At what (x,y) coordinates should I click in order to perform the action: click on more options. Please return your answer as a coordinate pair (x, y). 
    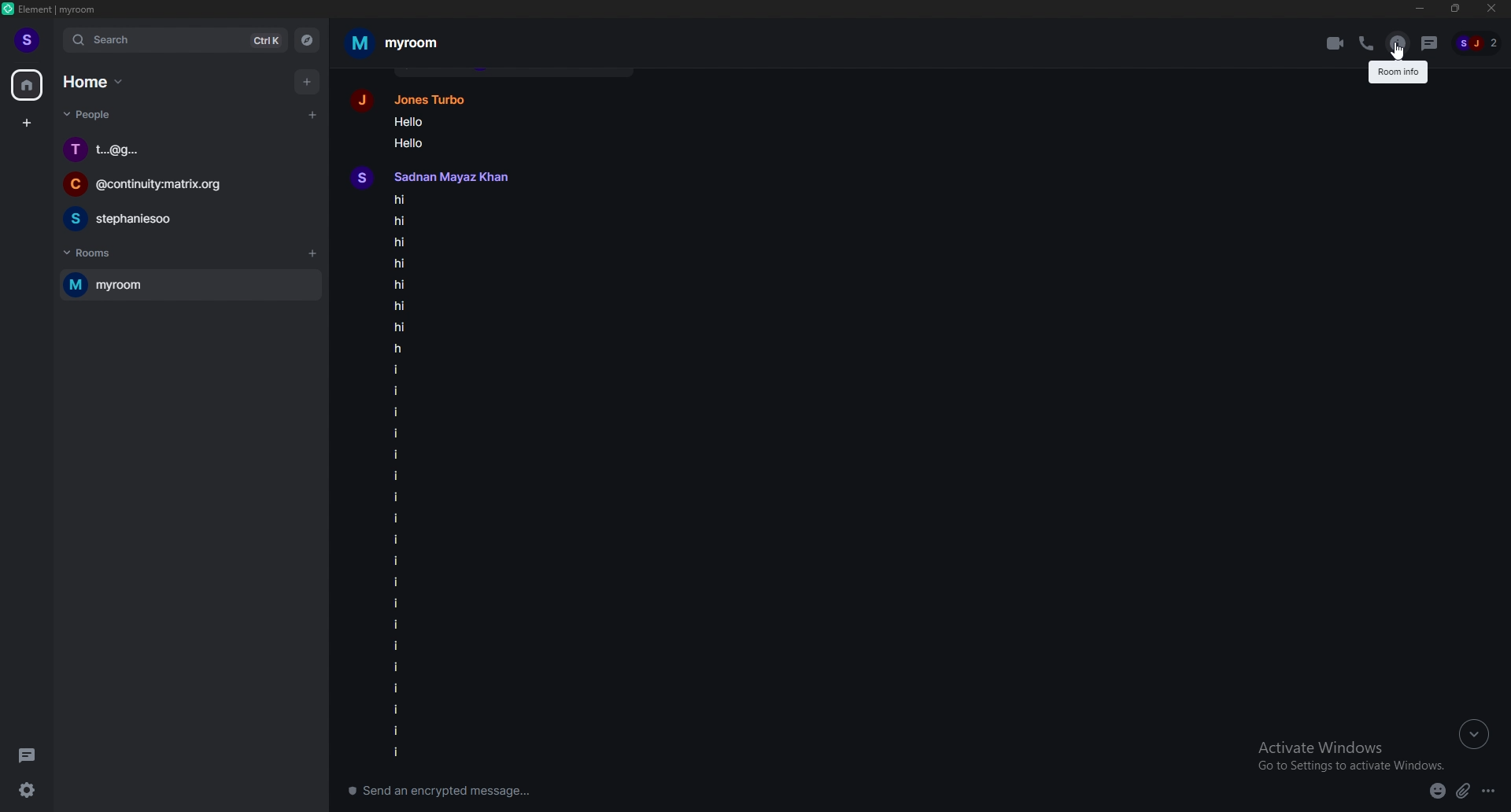
    Looking at the image, I should click on (1491, 792).